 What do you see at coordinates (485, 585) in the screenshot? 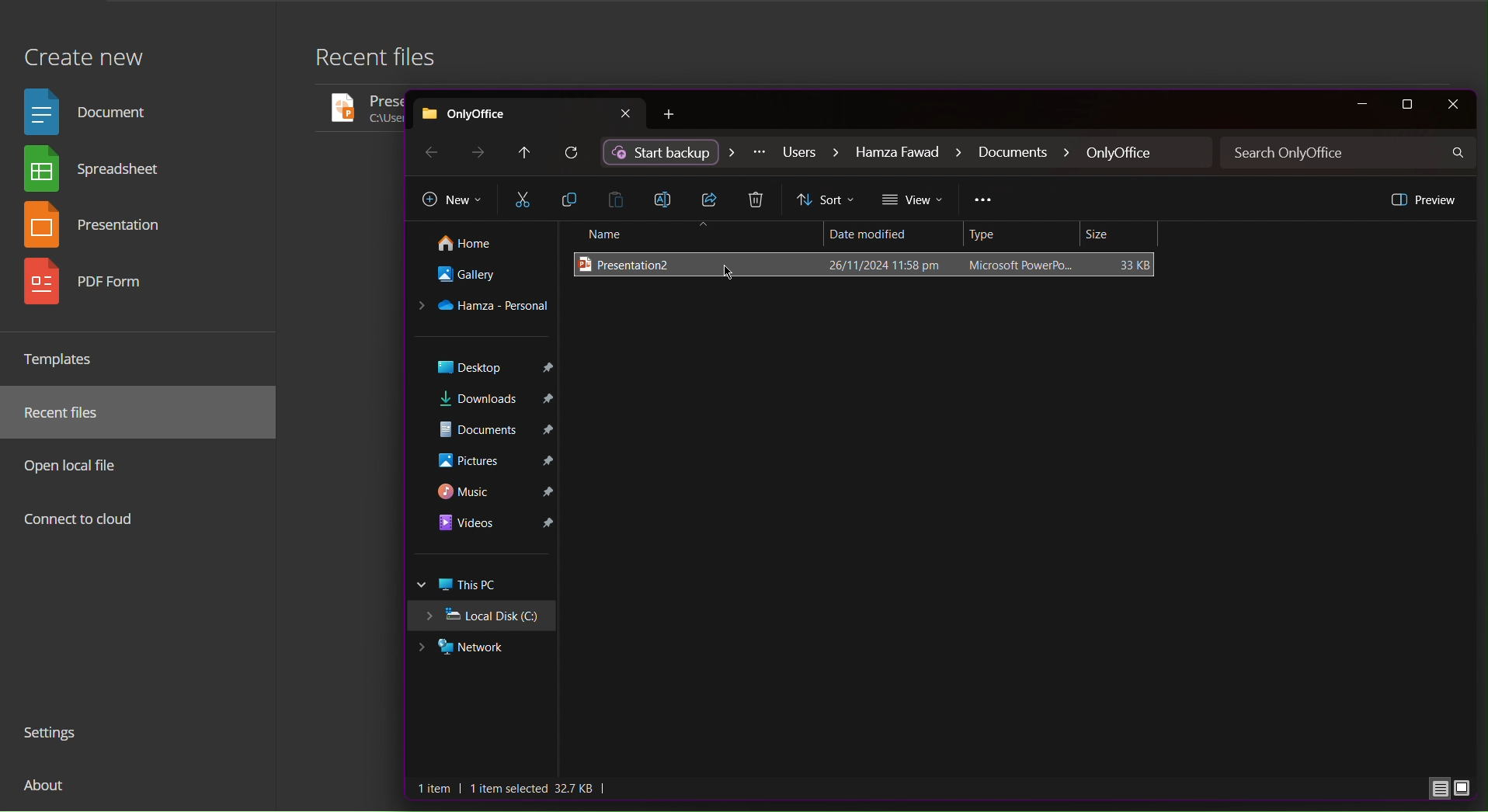
I see `This PC` at bounding box center [485, 585].